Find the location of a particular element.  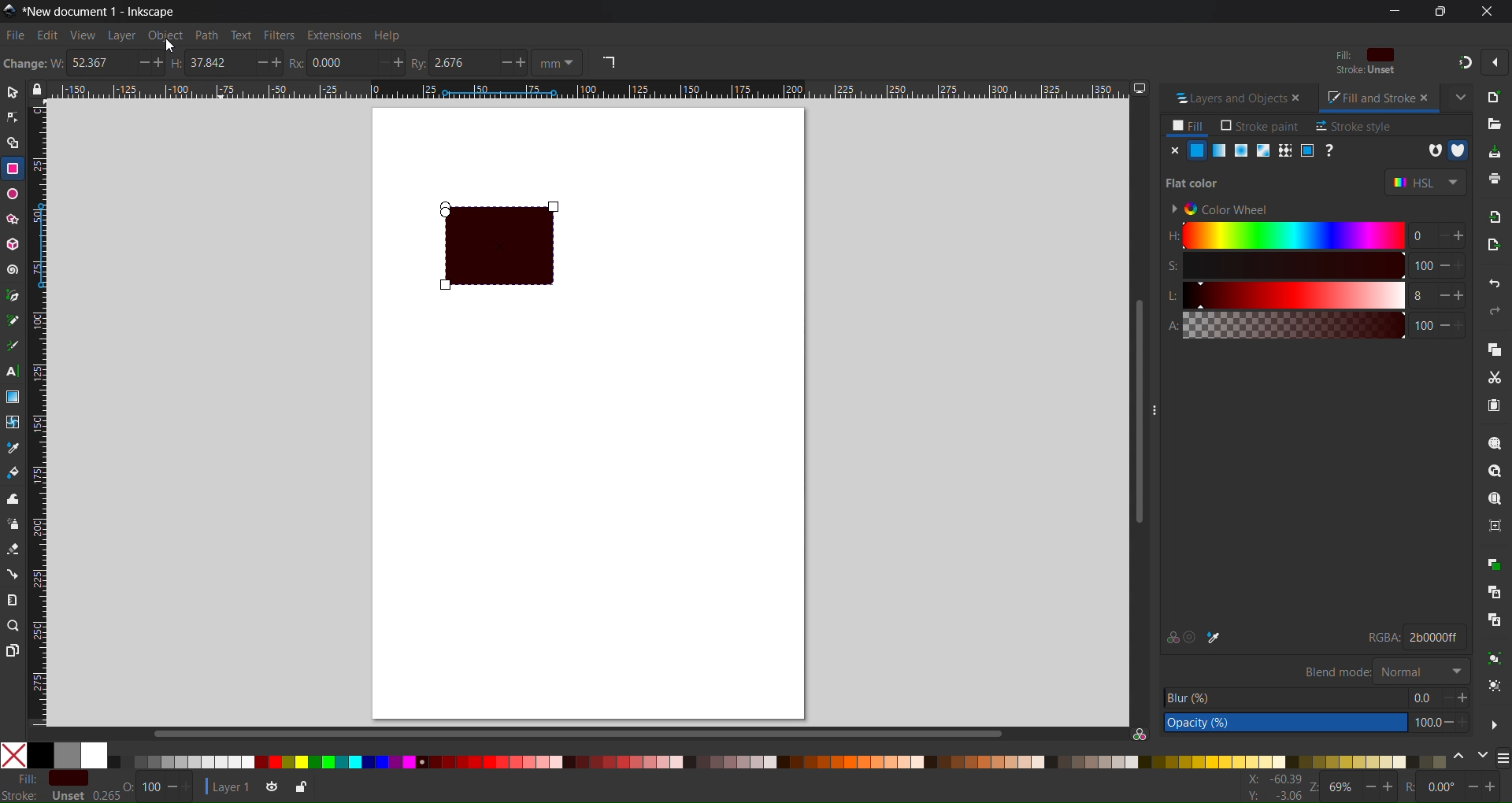

Redo is located at coordinates (1496, 312).